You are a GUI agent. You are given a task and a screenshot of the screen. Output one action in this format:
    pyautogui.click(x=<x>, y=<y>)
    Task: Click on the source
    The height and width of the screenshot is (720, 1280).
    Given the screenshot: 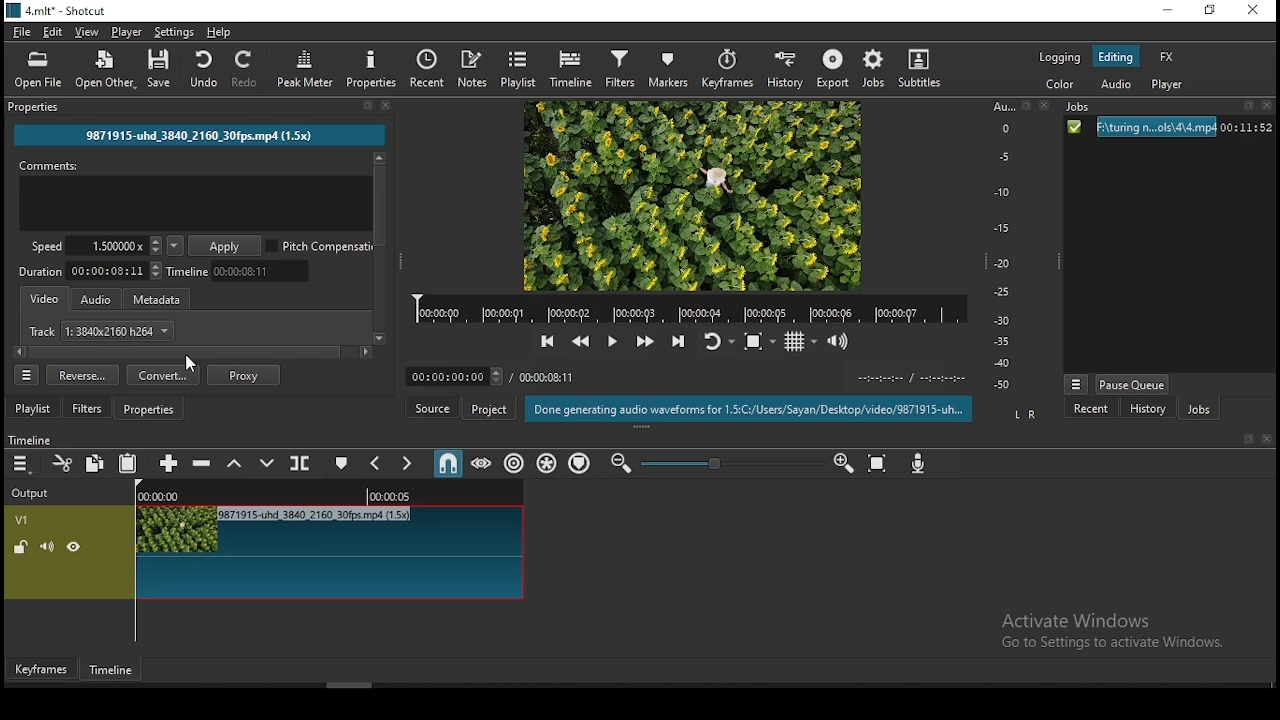 What is the action you would take?
    pyautogui.click(x=434, y=407)
    